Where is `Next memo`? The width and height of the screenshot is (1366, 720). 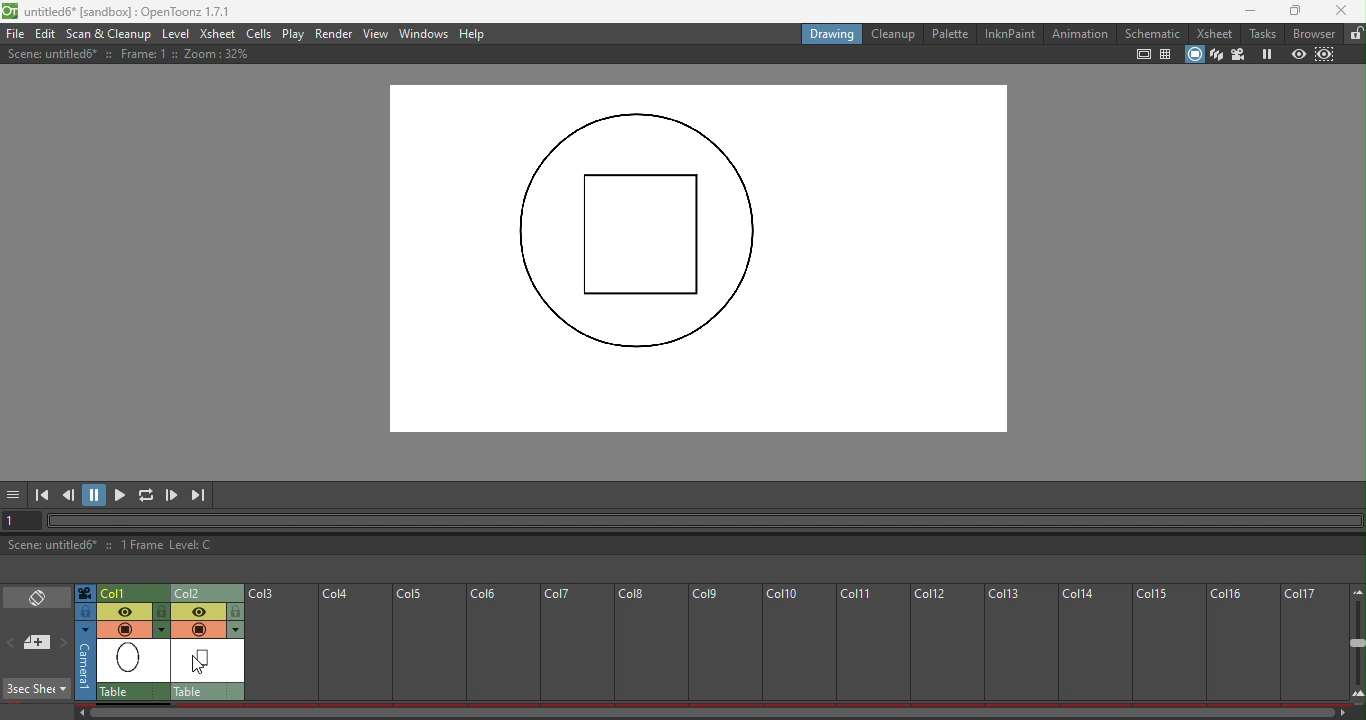 Next memo is located at coordinates (64, 643).